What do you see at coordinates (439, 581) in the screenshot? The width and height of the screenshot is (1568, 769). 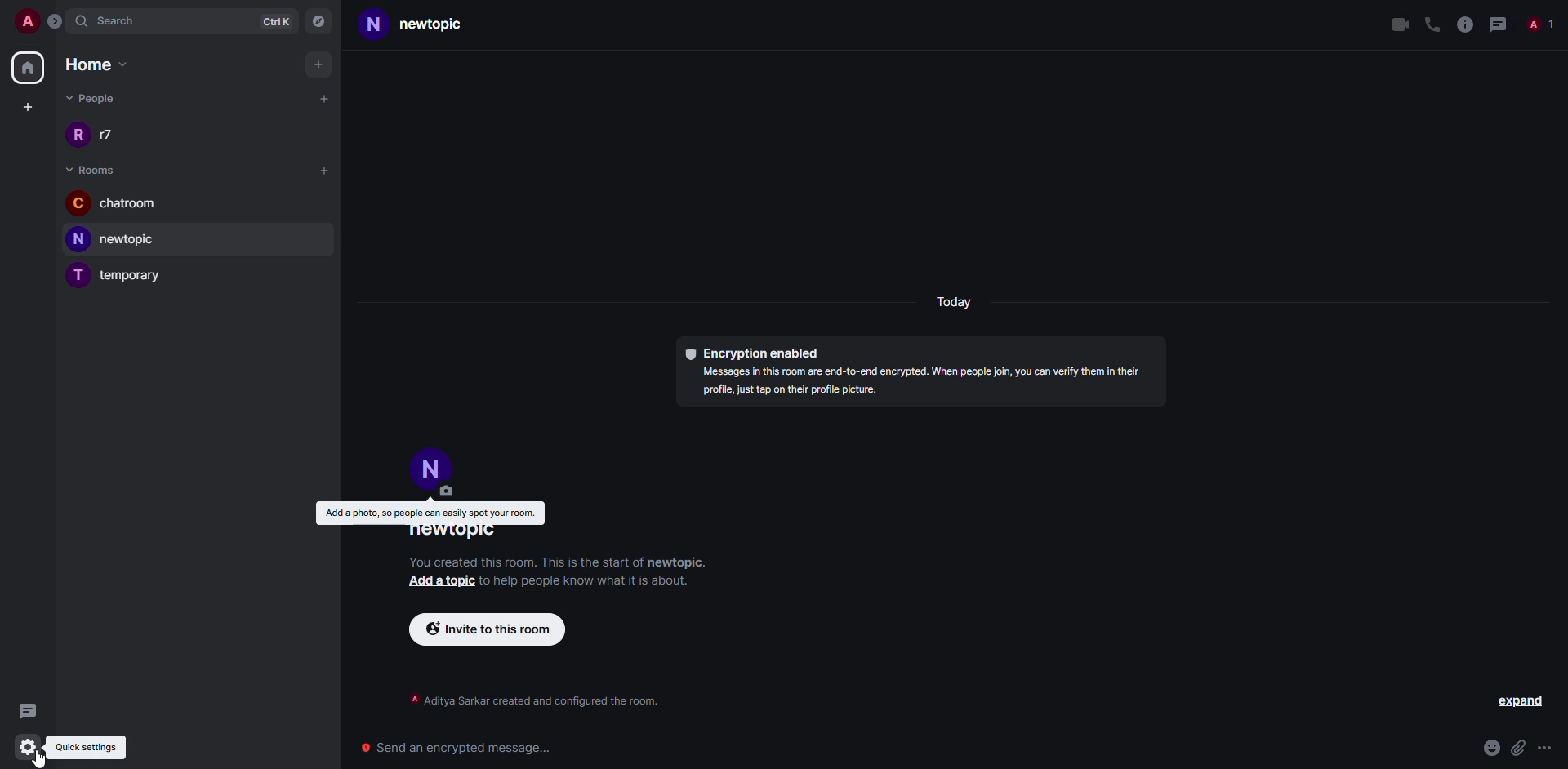 I see `add a topic` at bounding box center [439, 581].